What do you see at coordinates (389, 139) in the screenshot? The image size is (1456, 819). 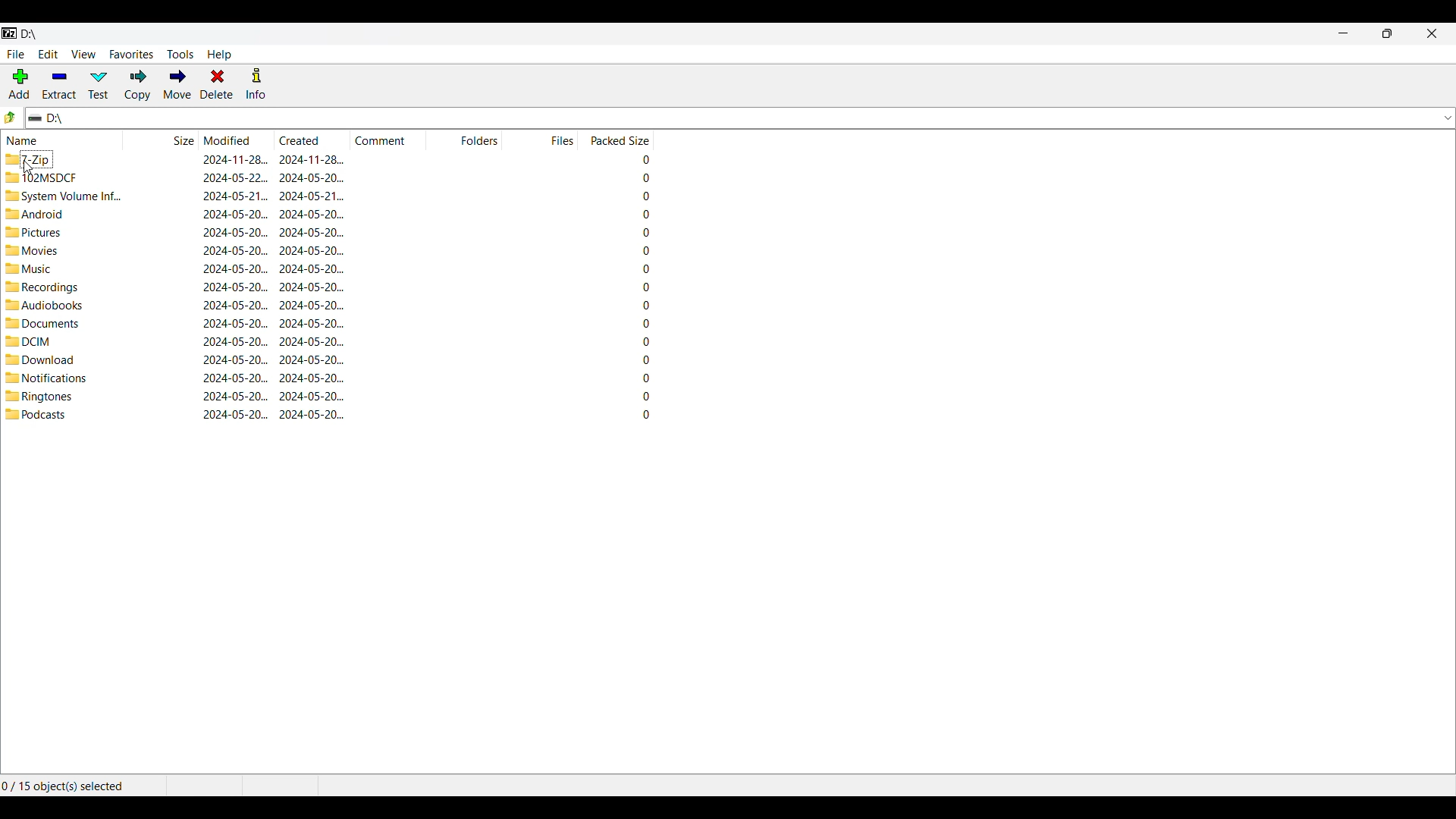 I see `Comment column` at bounding box center [389, 139].